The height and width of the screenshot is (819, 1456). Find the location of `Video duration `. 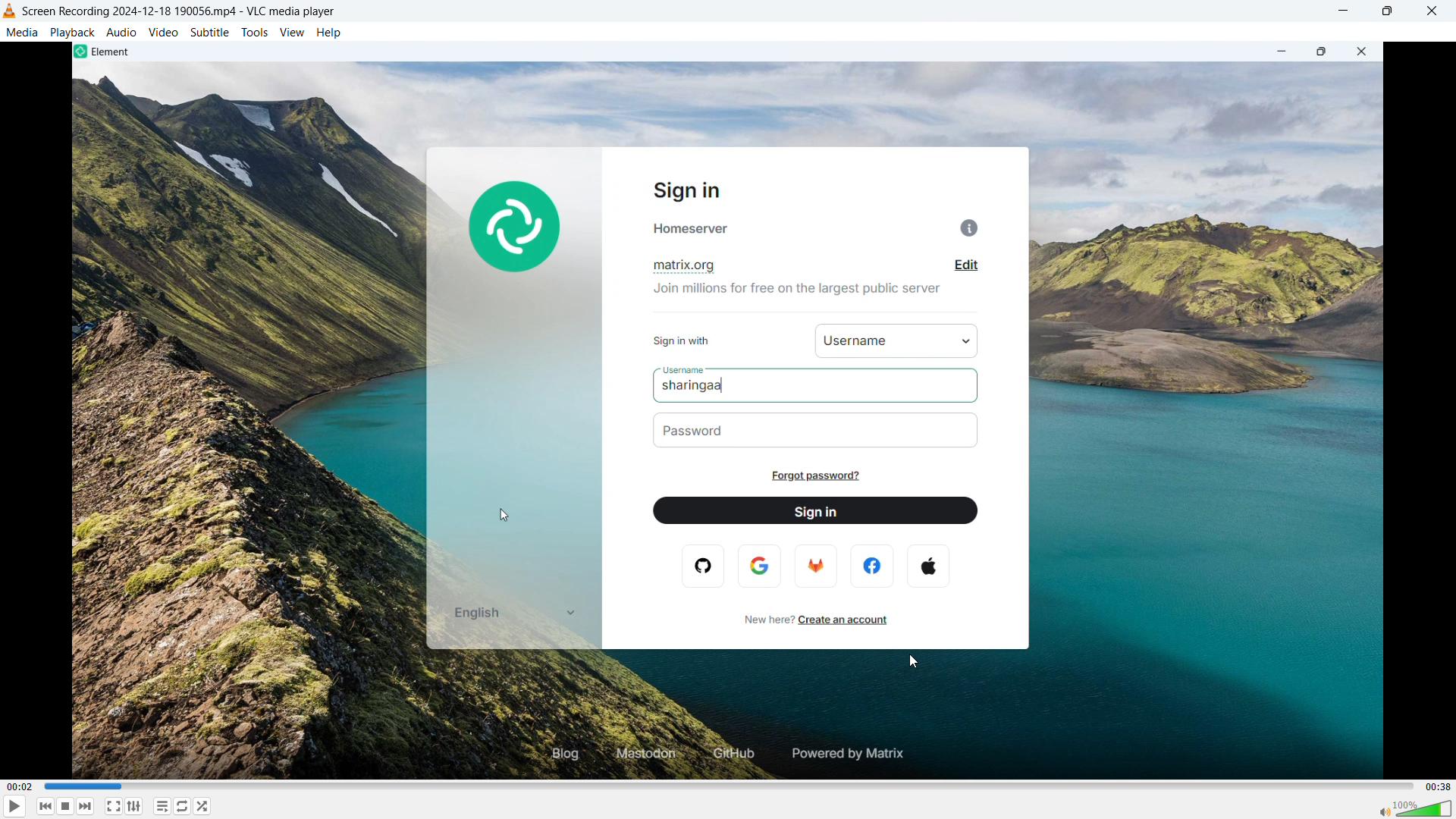

Video duration  is located at coordinates (1438, 787).